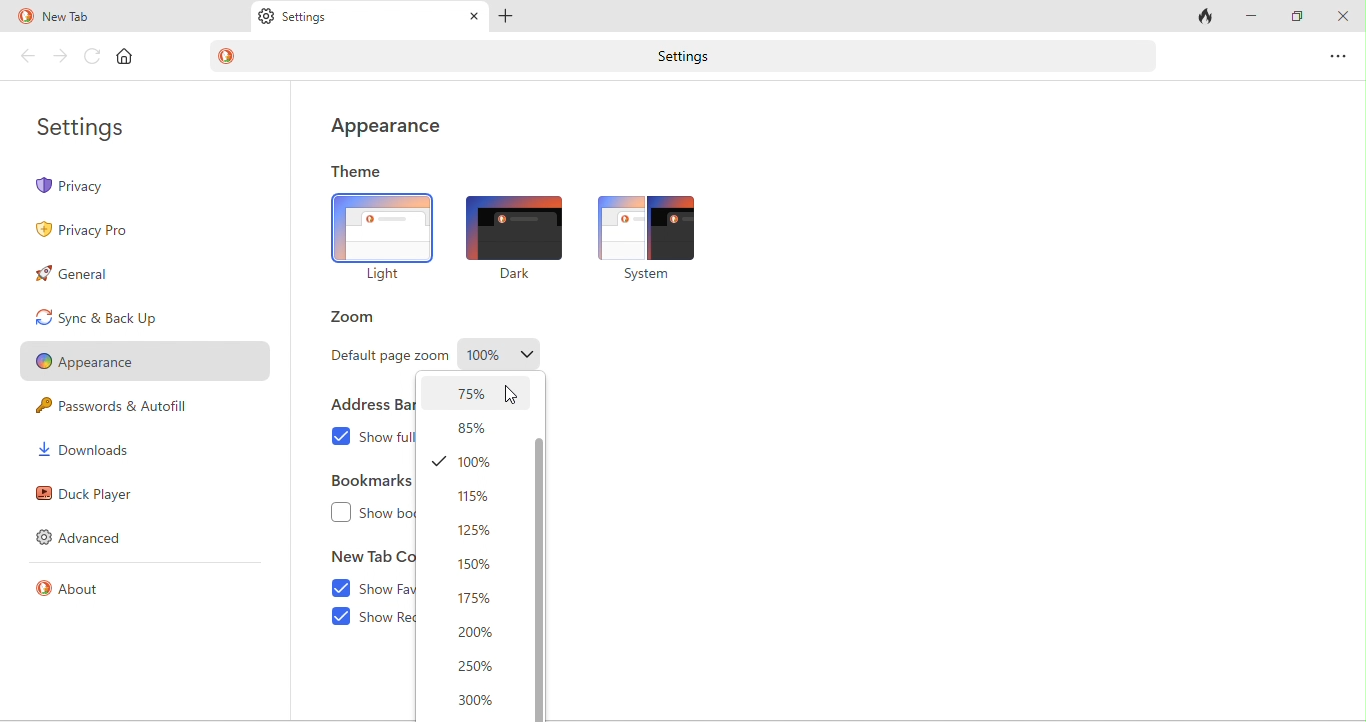  I want to click on about, so click(80, 592).